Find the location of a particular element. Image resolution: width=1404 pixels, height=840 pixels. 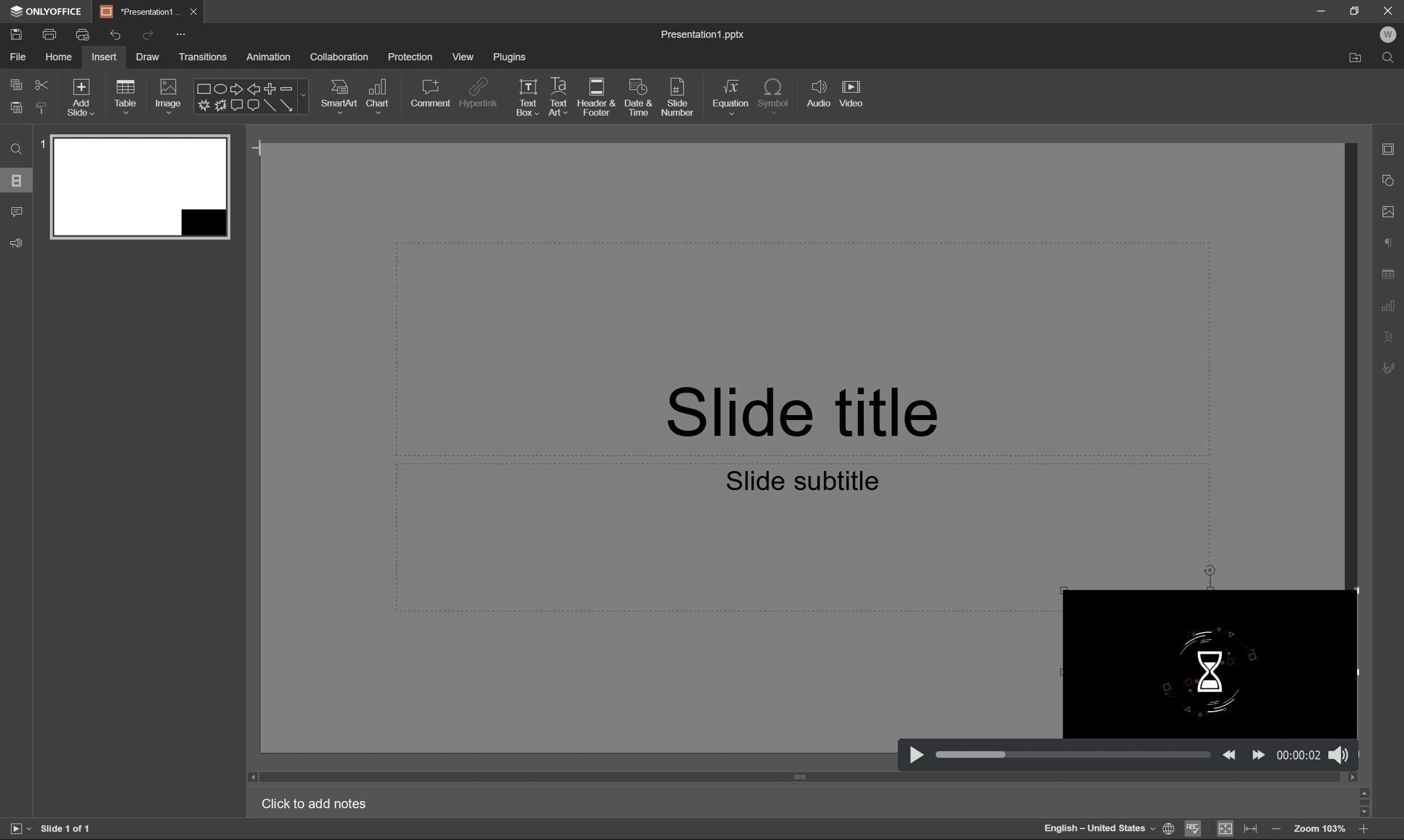

transitions is located at coordinates (209, 57).